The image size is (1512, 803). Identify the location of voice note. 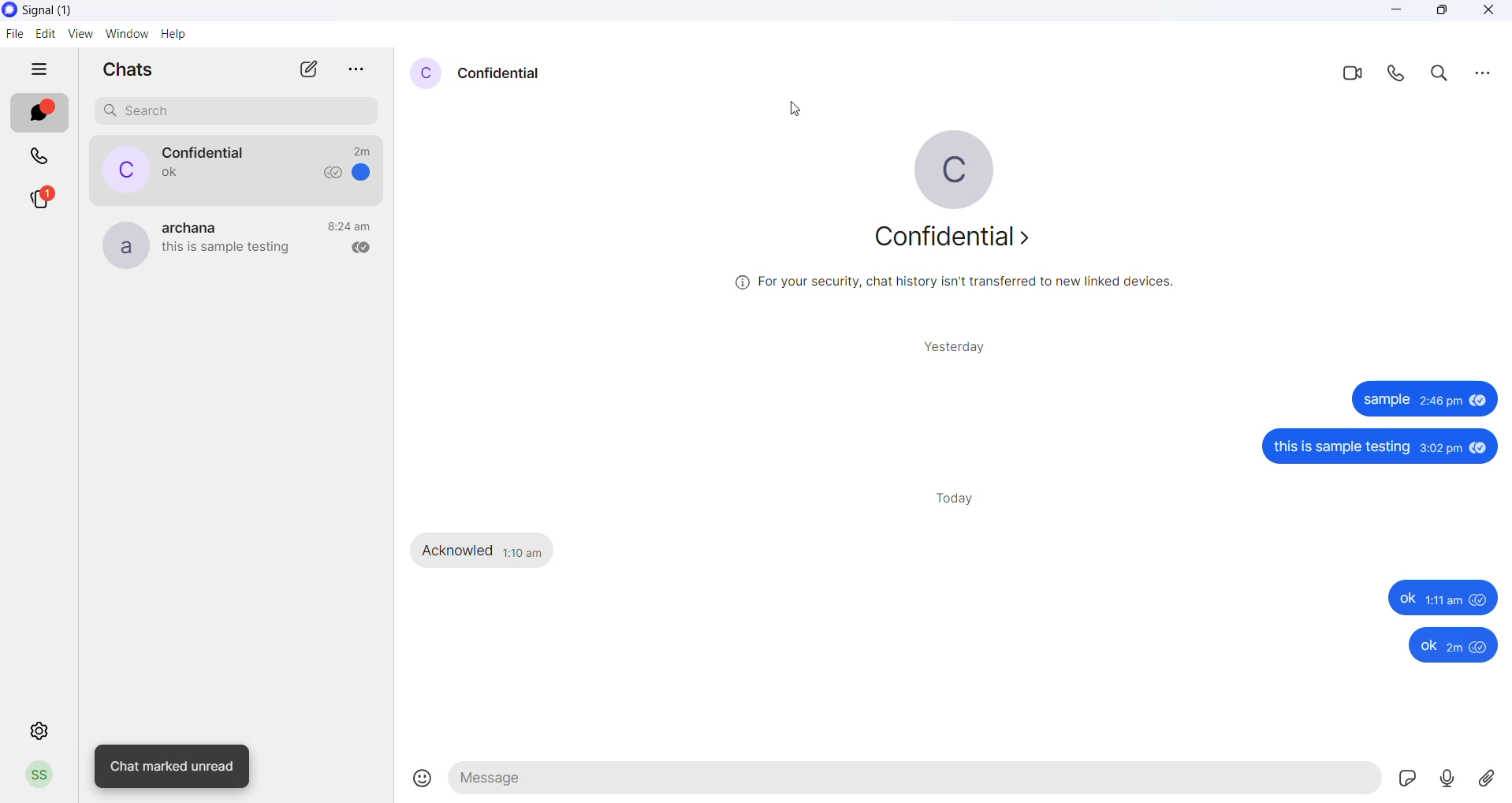
(1447, 781).